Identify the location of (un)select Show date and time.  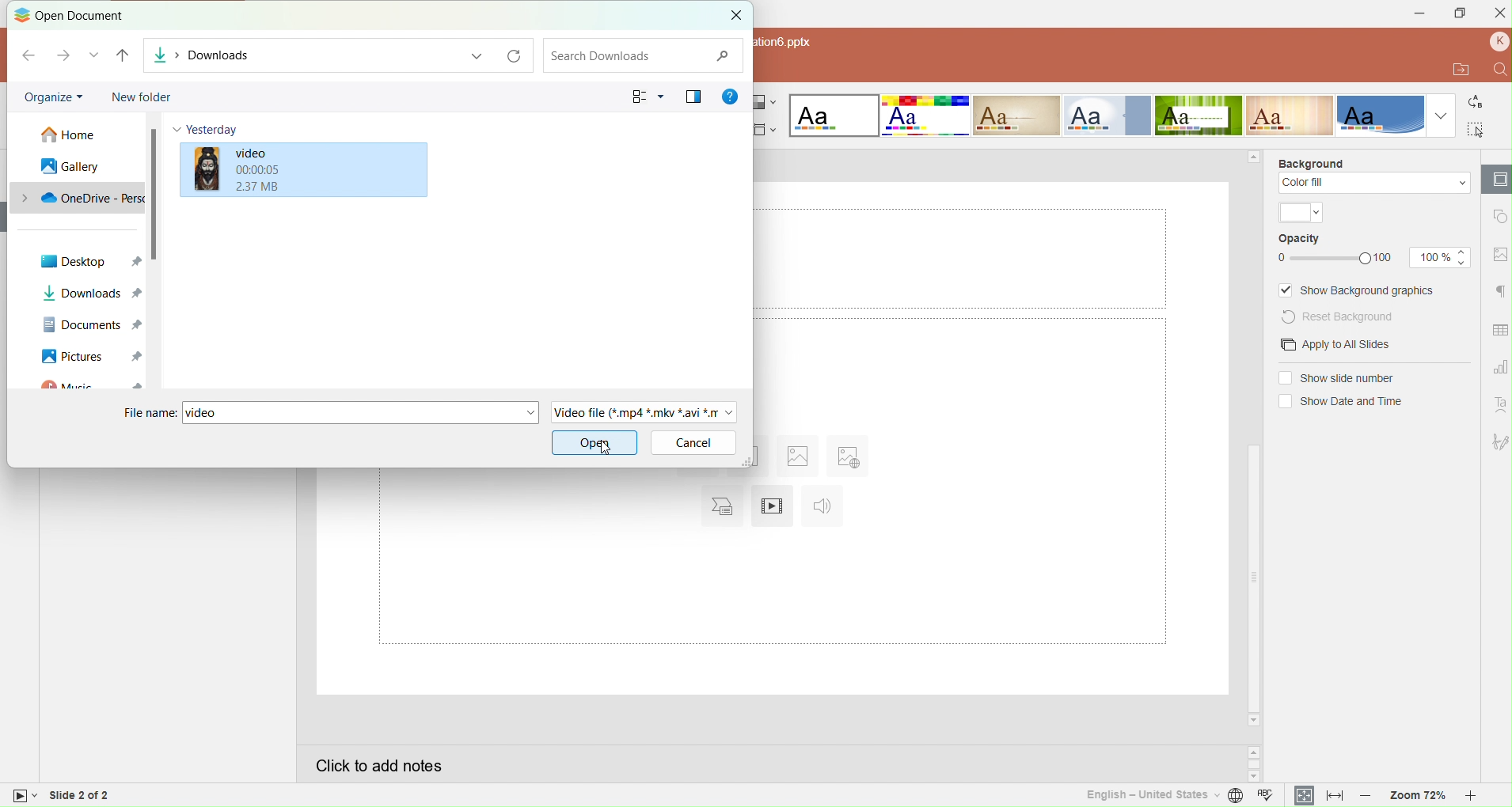
(1339, 404).